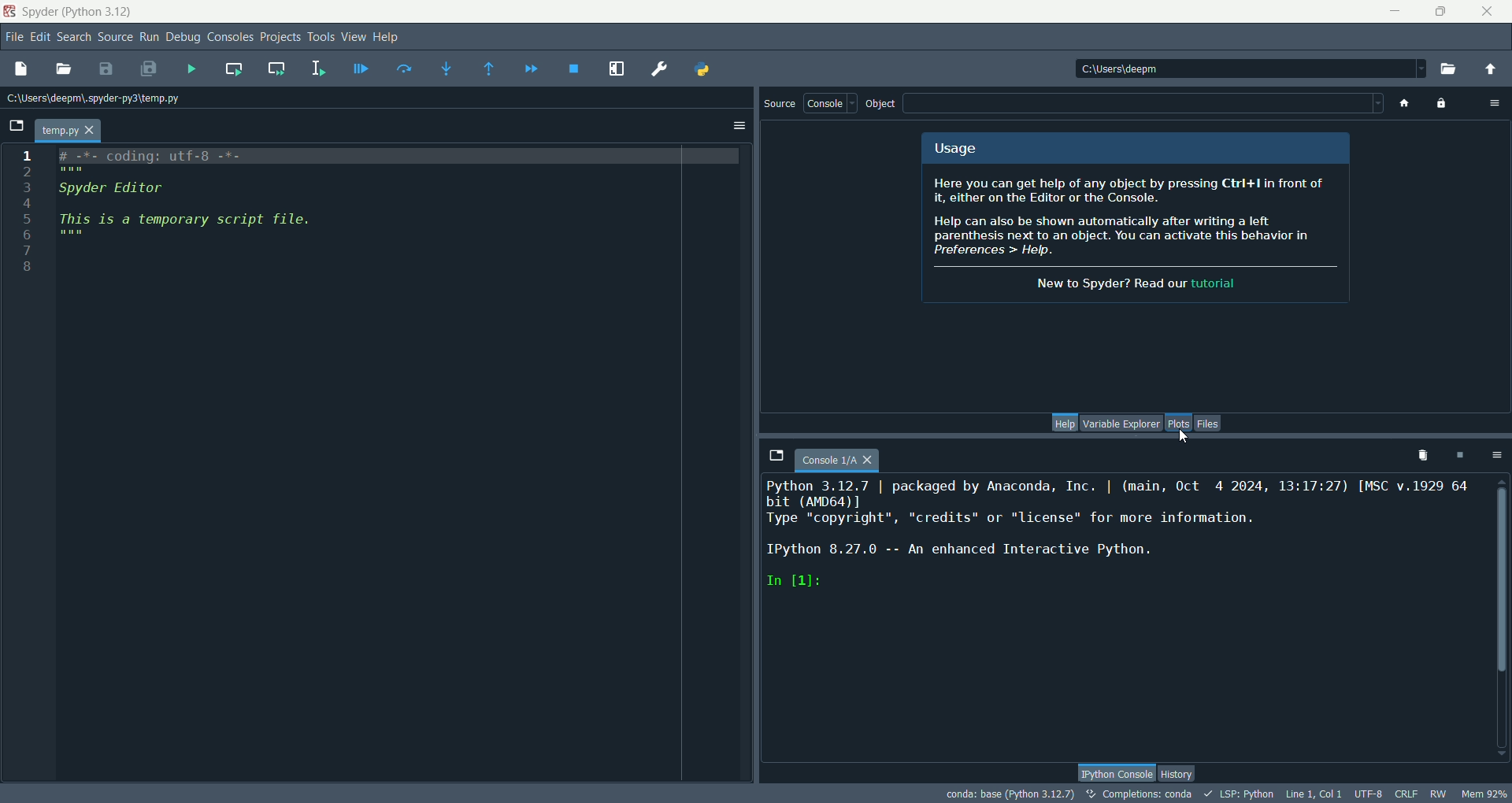 This screenshot has width=1512, height=803. I want to click on options, so click(1497, 105).